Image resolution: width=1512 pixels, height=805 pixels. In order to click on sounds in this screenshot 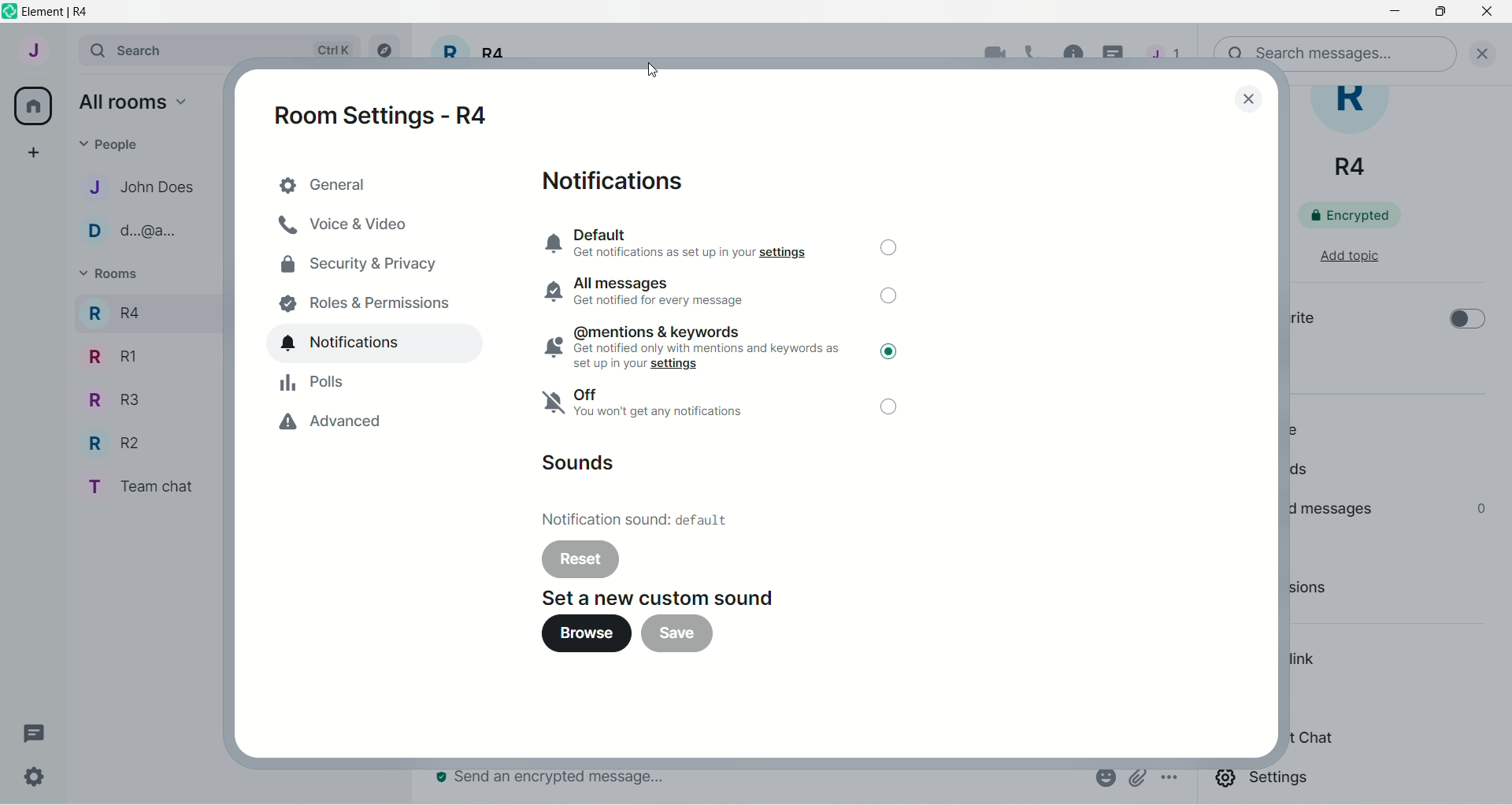, I will do `click(584, 465)`.